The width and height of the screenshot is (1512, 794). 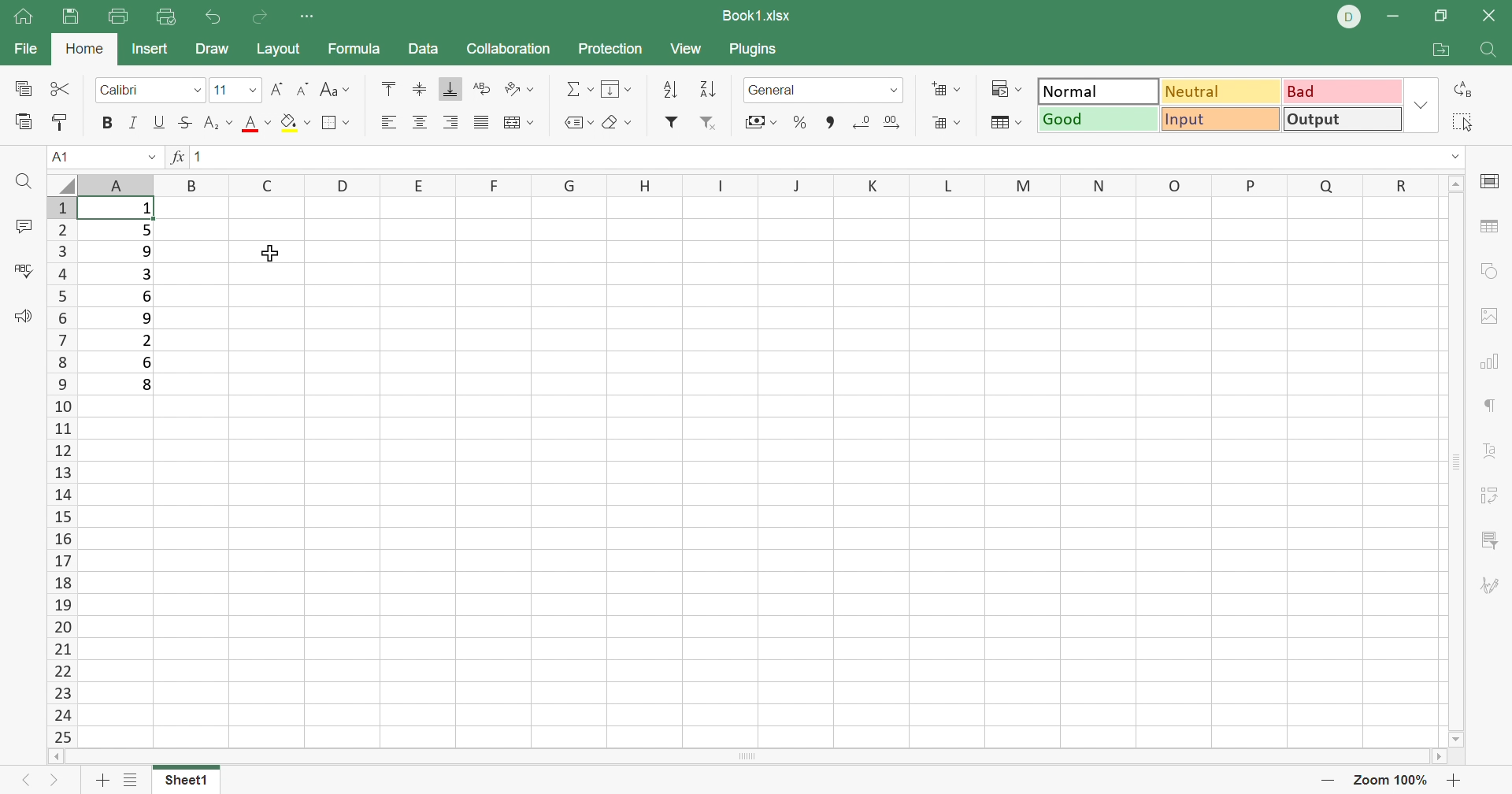 I want to click on Scroll bar, so click(x=1456, y=462).